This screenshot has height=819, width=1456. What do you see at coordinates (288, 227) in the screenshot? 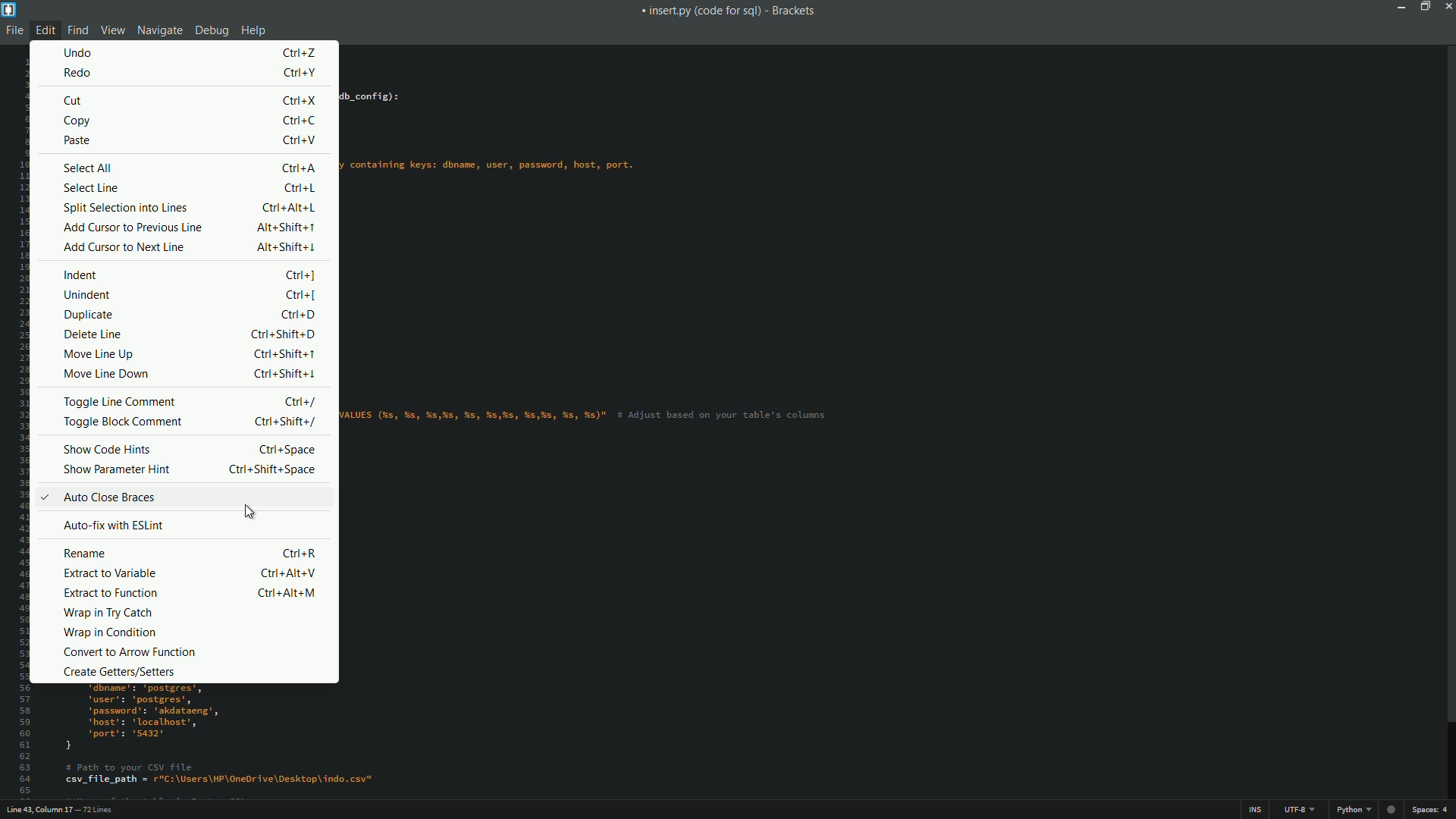
I see `keyboard shortcut` at bounding box center [288, 227].